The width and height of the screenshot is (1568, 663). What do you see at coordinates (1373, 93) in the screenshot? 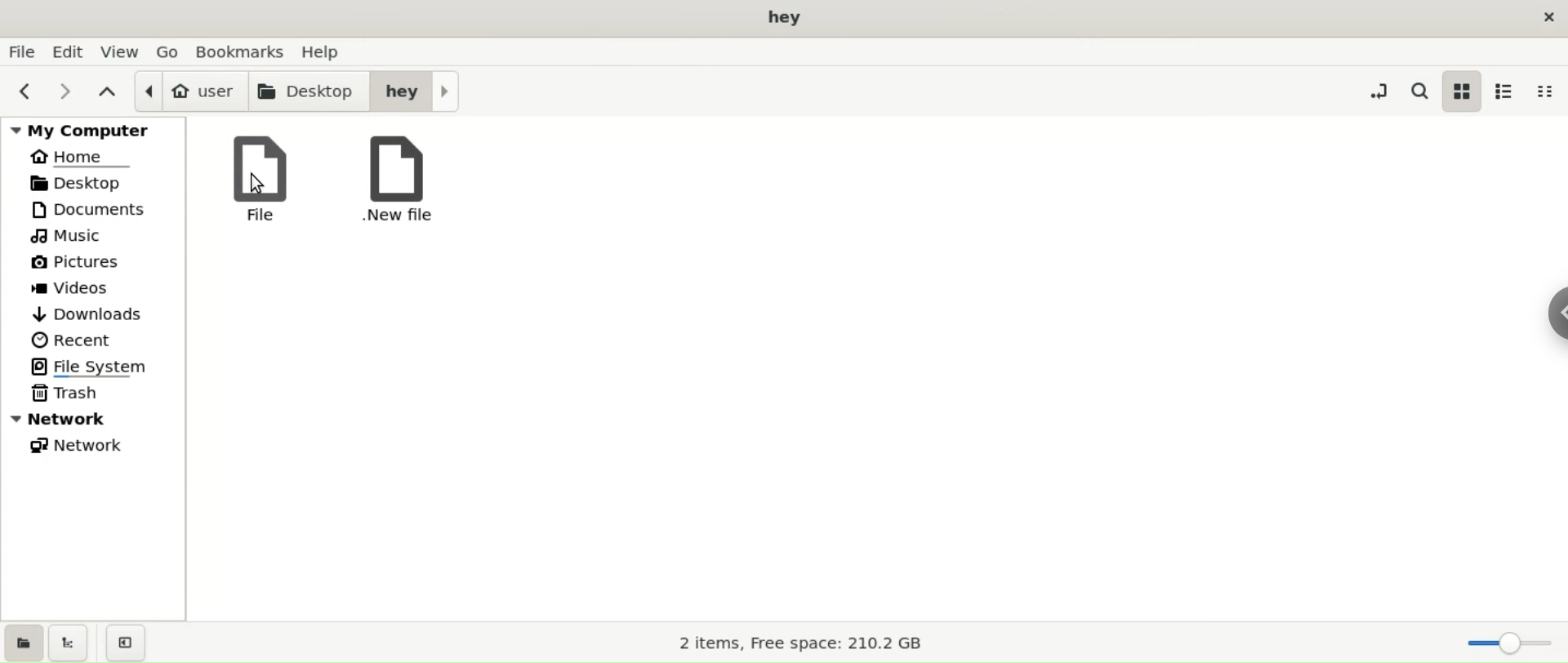
I see `toggle location entry` at bounding box center [1373, 93].